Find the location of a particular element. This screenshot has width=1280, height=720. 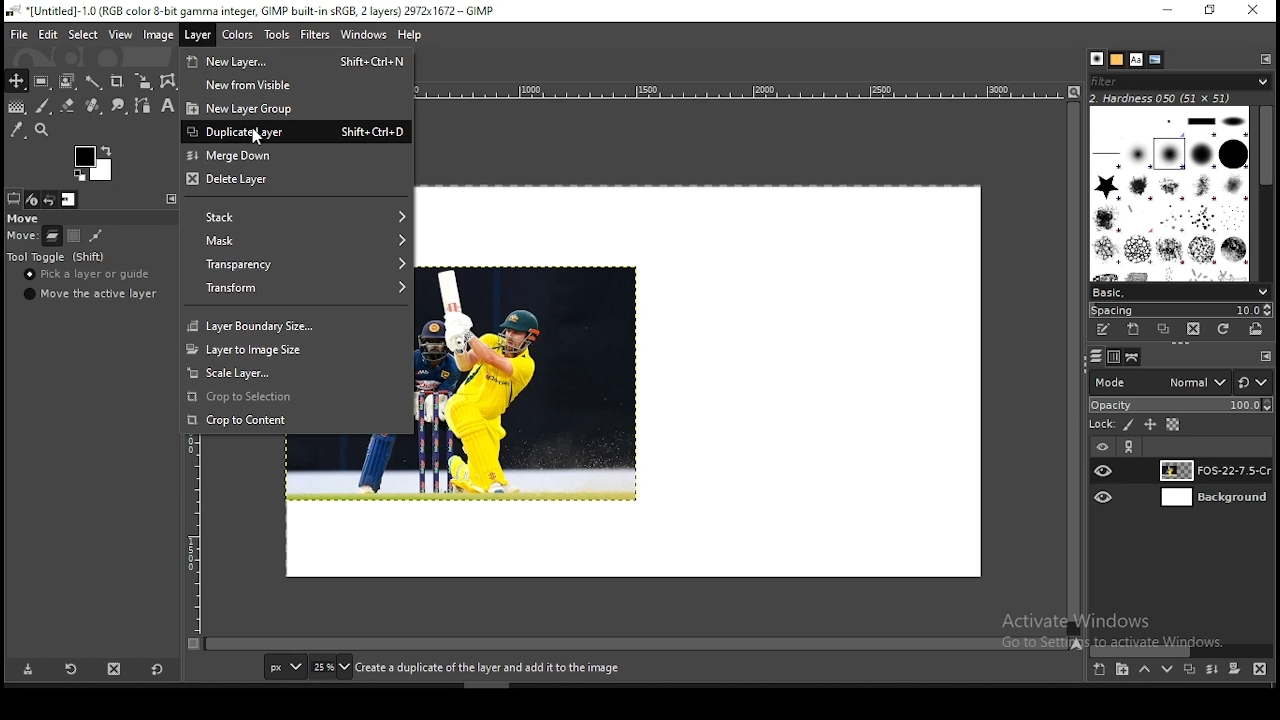

view is located at coordinates (119, 34).